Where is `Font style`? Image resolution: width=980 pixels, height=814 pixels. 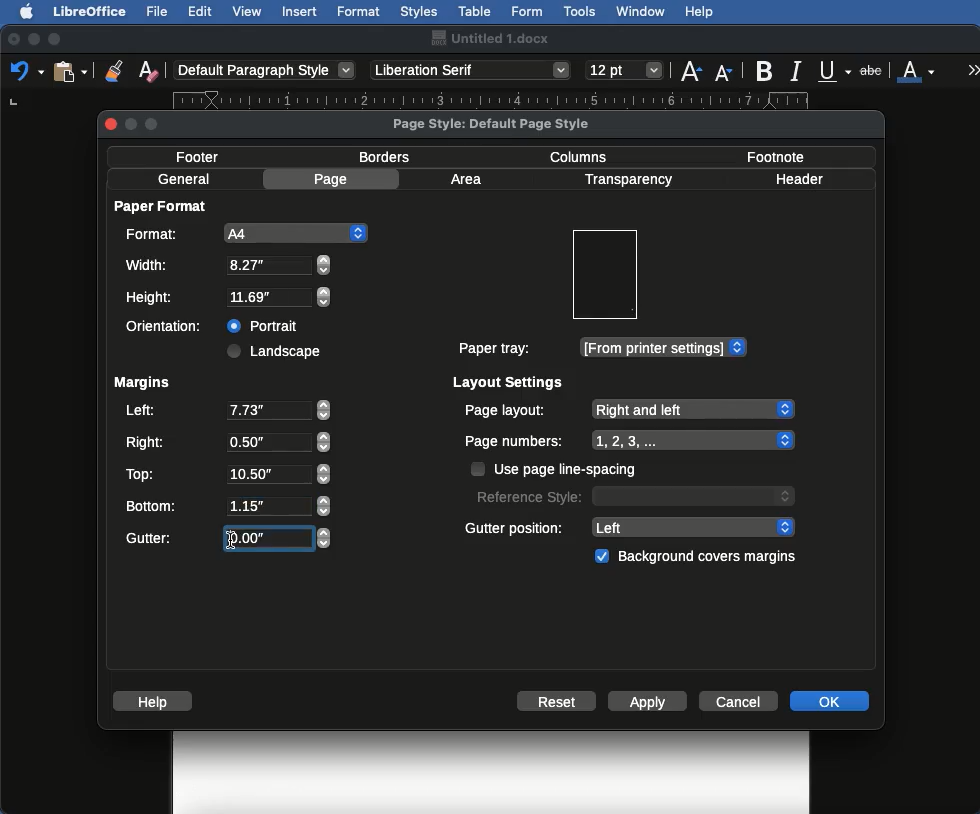 Font style is located at coordinates (472, 70).